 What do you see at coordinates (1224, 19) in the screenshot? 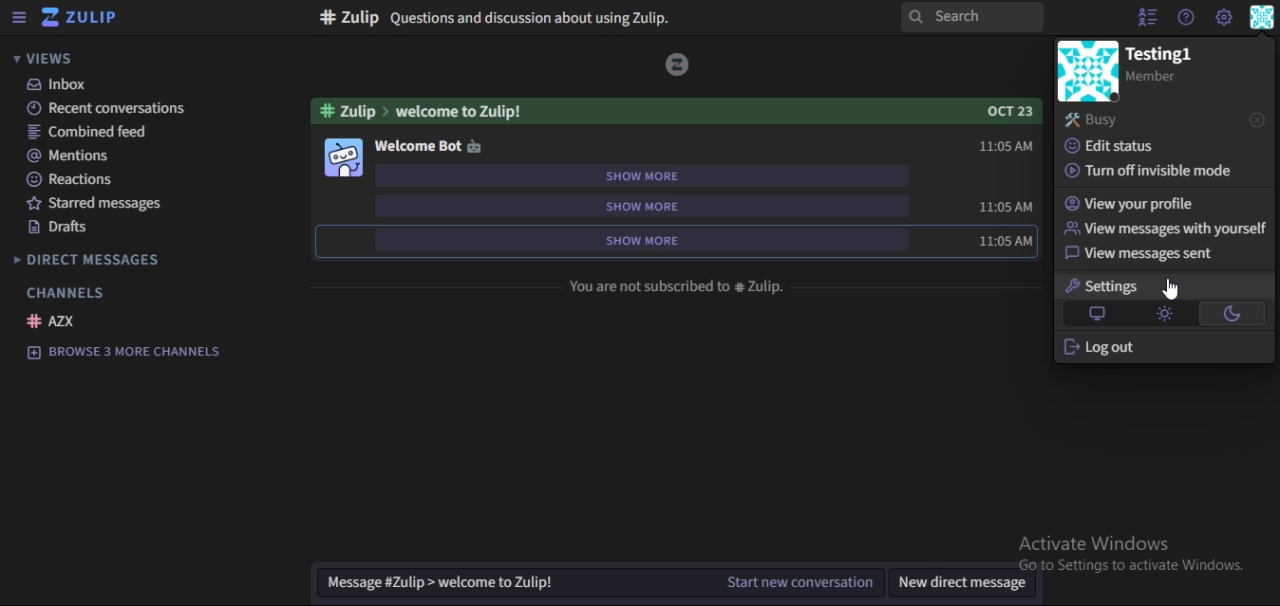
I see `main menu` at bounding box center [1224, 19].